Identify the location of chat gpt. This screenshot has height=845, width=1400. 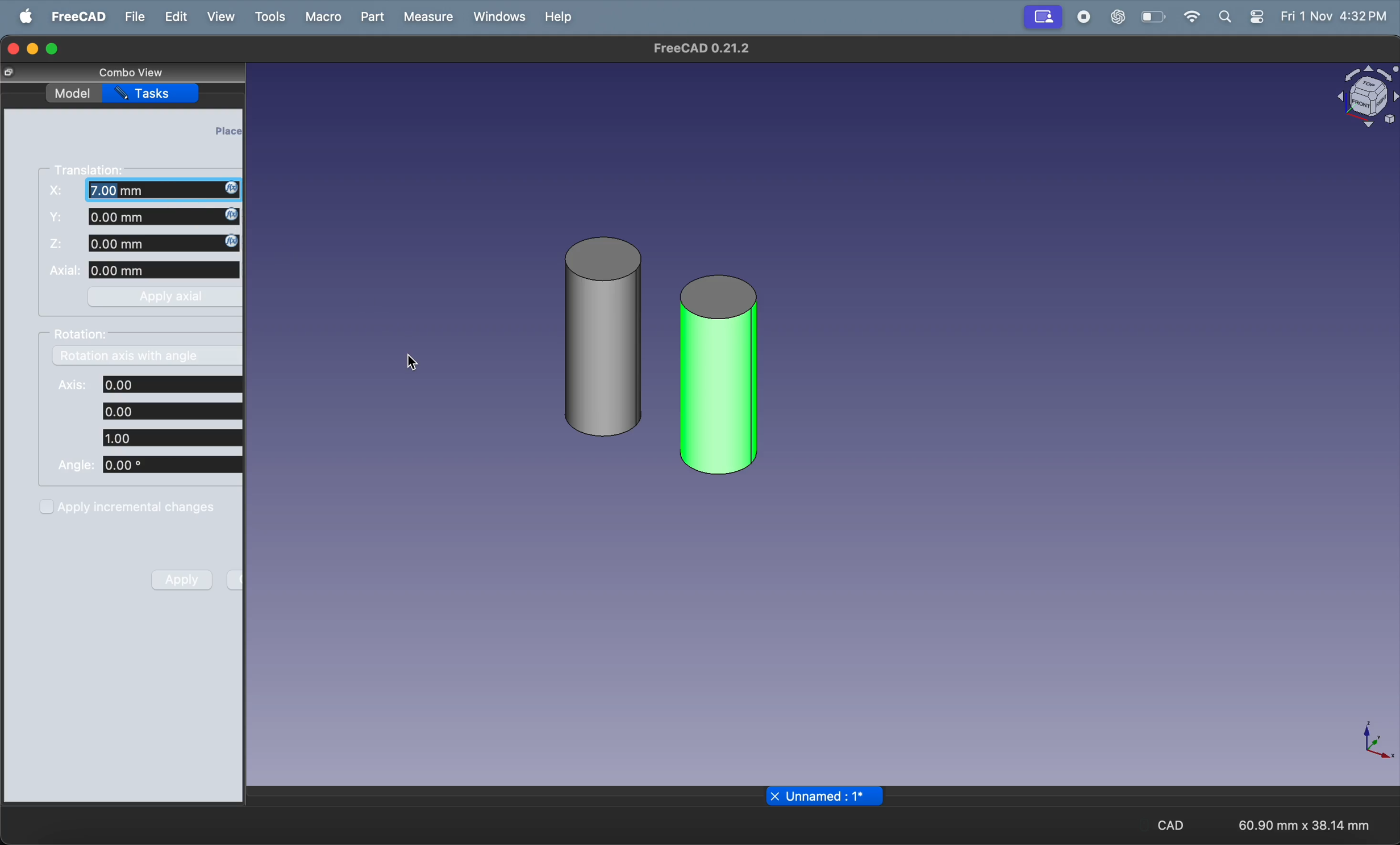
(1115, 18).